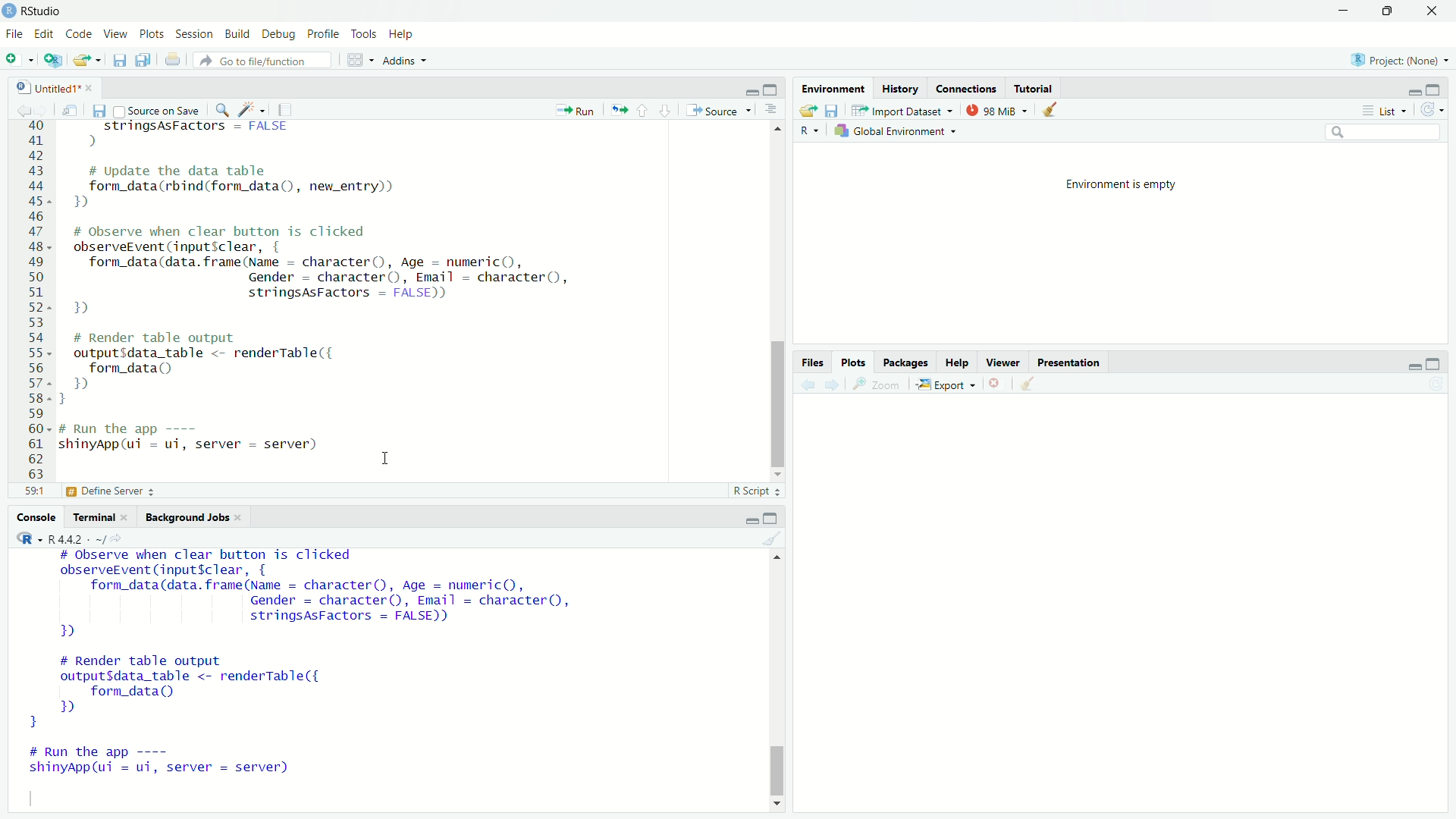  What do you see at coordinates (770, 111) in the screenshot?
I see `show document outline` at bounding box center [770, 111].